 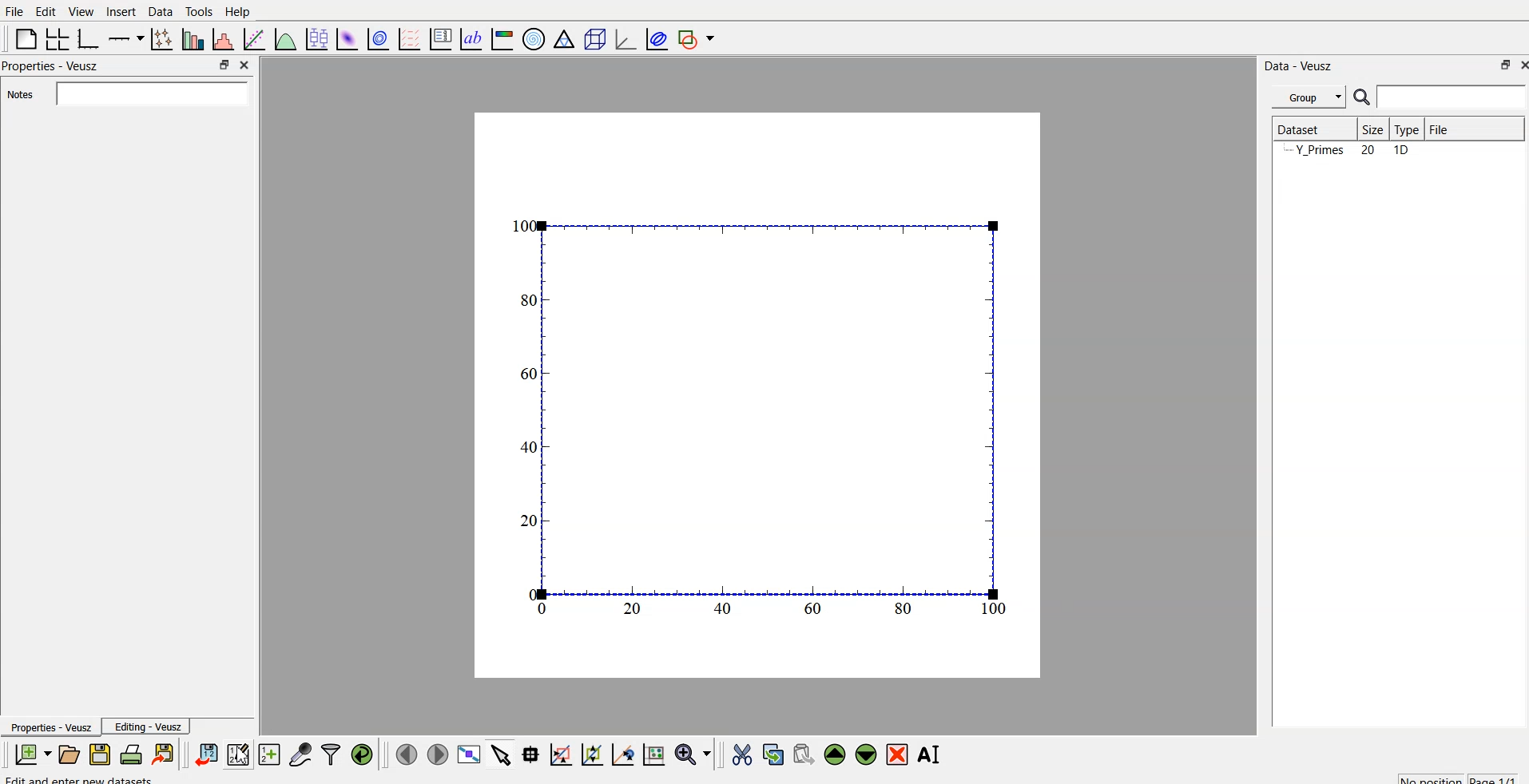 What do you see at coordinates (436, 754) in the screenshot?
I see `move to the next page` at bounding box center [436, 754].